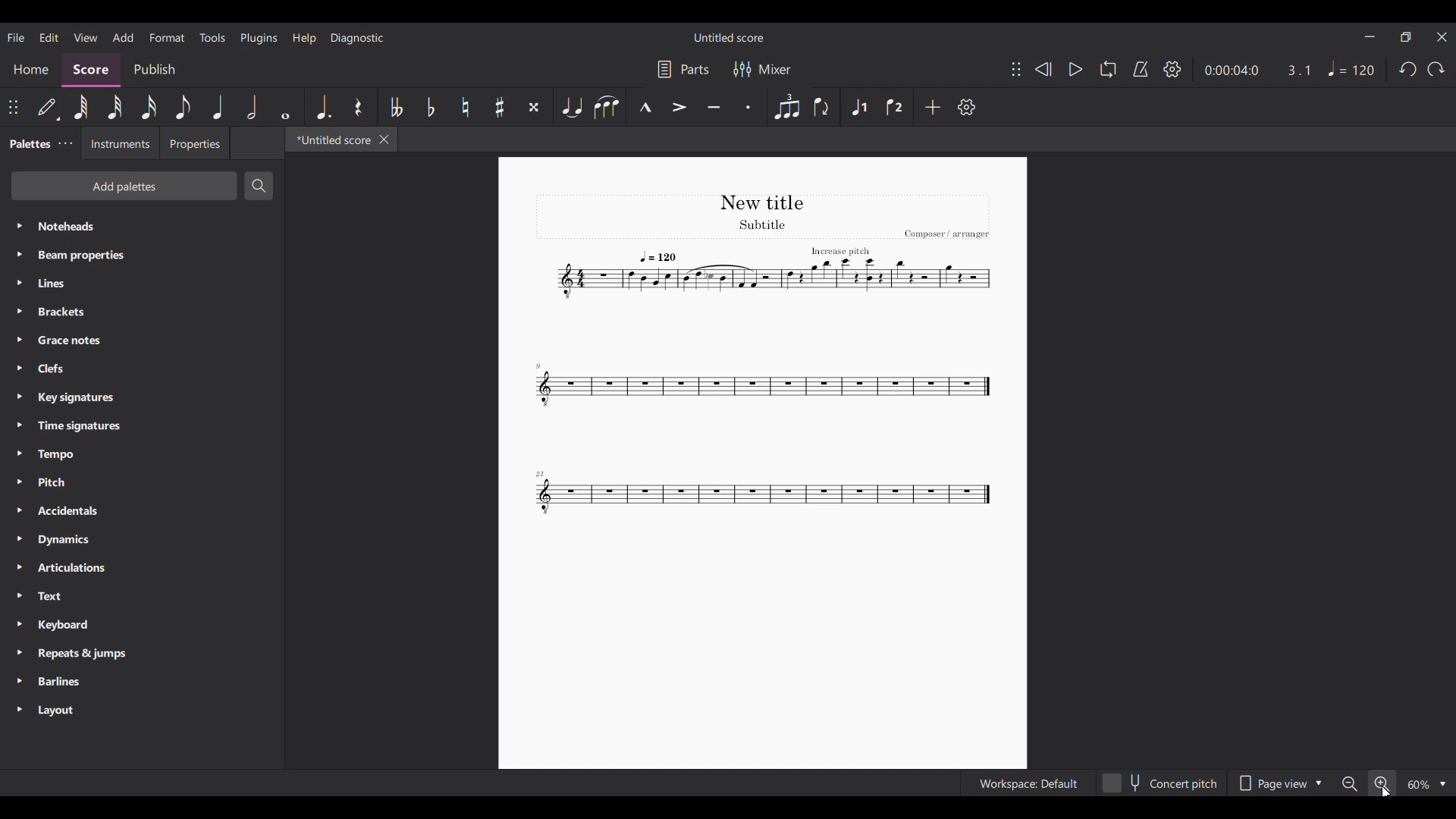 The width and height of the screenshot is (1456, 819). What do you see at coordinates (142, 482) in the screenshot?
I see `Pitch` at bounding box center [142, 482].